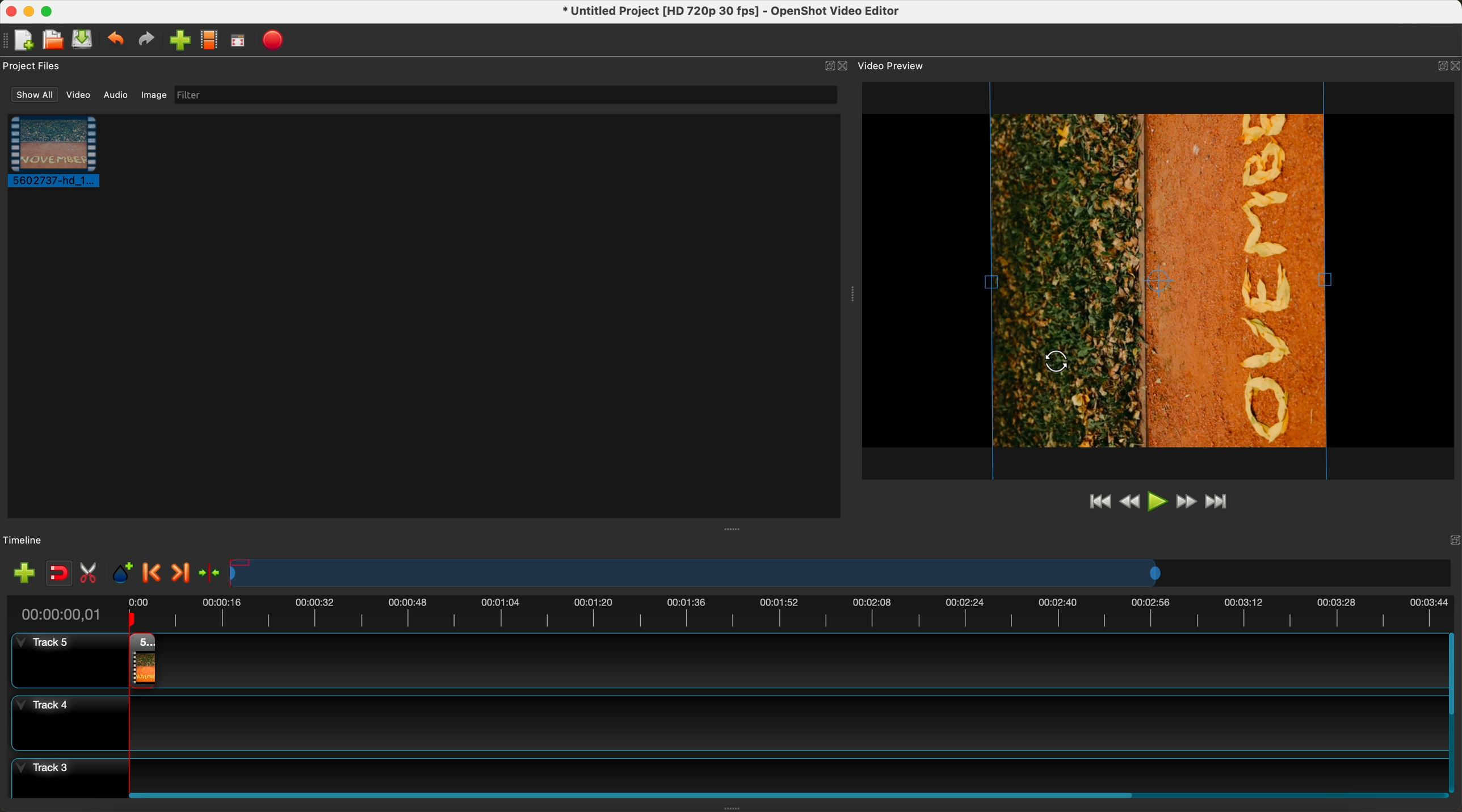 The image size is (1462, 812). What do you see at coordinates (140, 660) in the screenshot?
I see `drag video to track 4` at bounding box center [140, 660].